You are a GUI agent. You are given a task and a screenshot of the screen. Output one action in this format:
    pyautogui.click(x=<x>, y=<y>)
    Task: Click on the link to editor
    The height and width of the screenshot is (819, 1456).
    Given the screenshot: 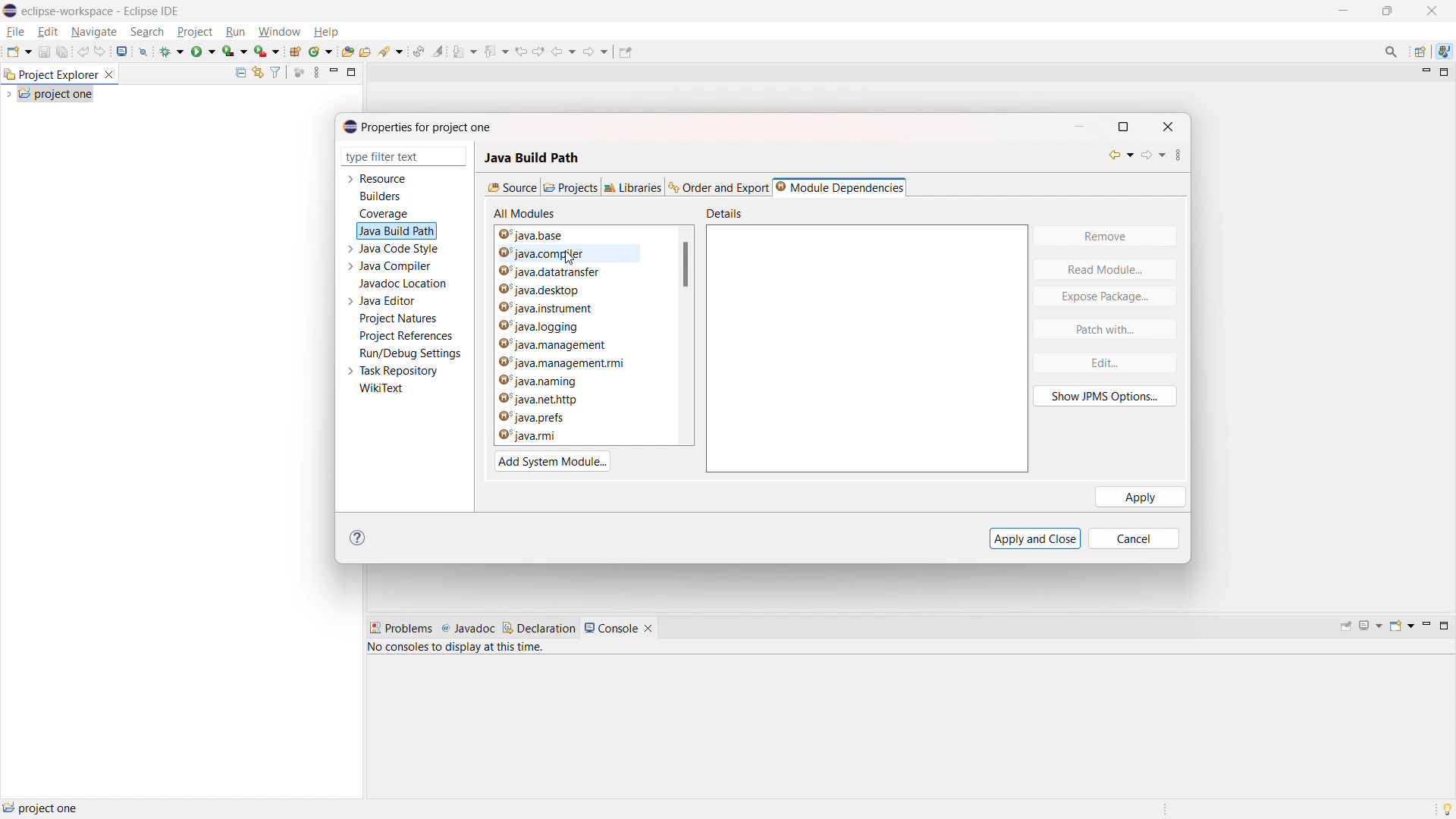 What is the action you would take?
    pyautogui.click(x=256, y=73)
    